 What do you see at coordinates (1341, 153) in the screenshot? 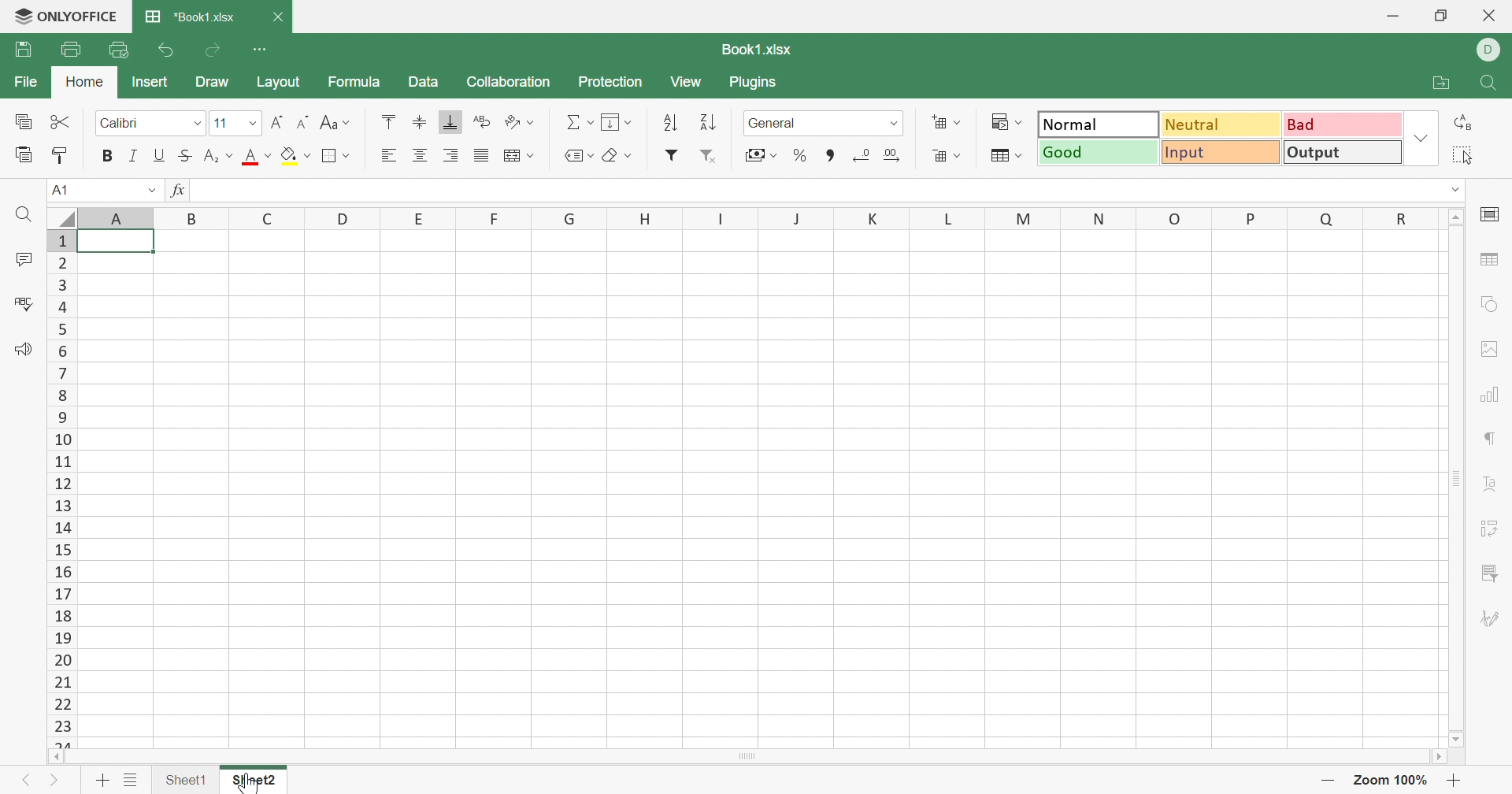
I see `Output` at bounding box center [1341, 153].